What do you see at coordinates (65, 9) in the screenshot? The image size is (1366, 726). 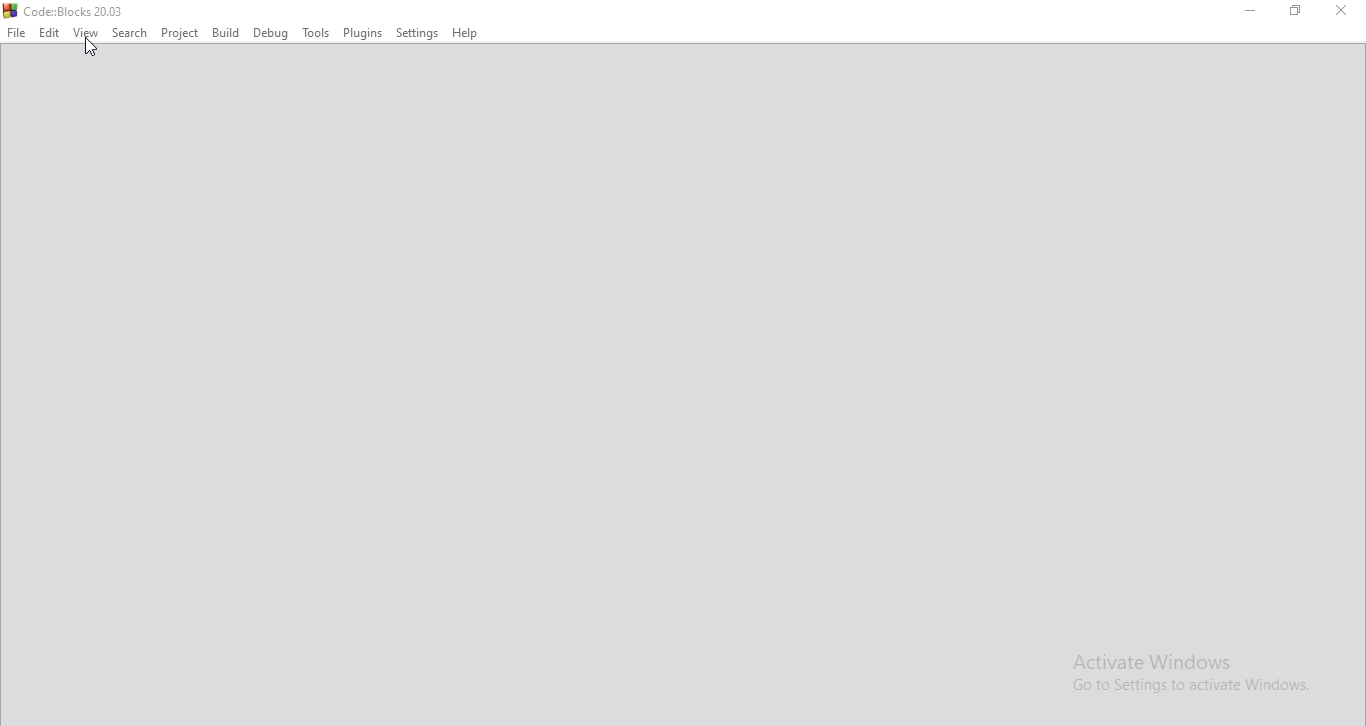 I see `logo` at bounding box center [65, 9].